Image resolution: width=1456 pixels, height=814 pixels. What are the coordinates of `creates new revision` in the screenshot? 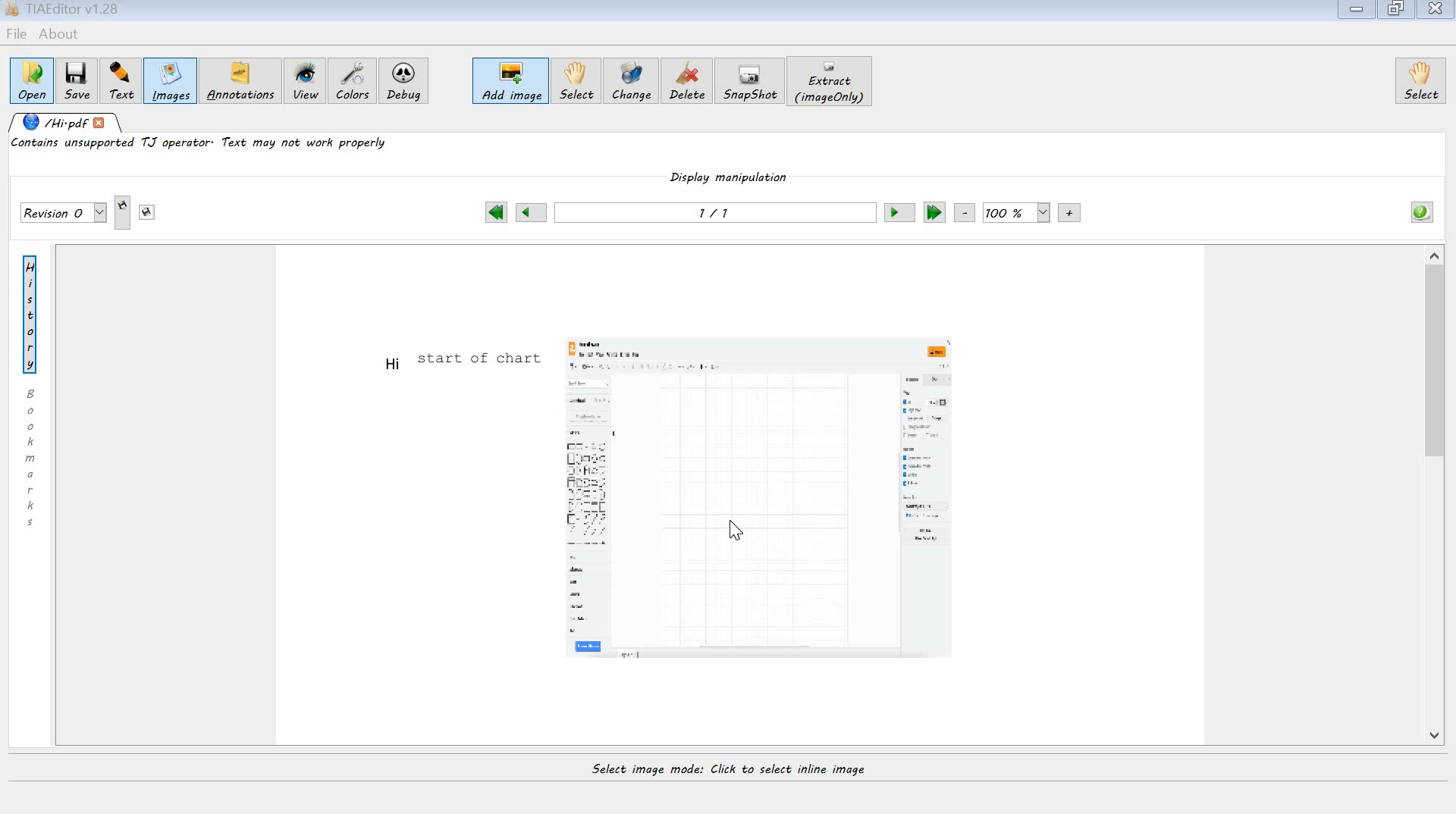 It's located at (124, 214).